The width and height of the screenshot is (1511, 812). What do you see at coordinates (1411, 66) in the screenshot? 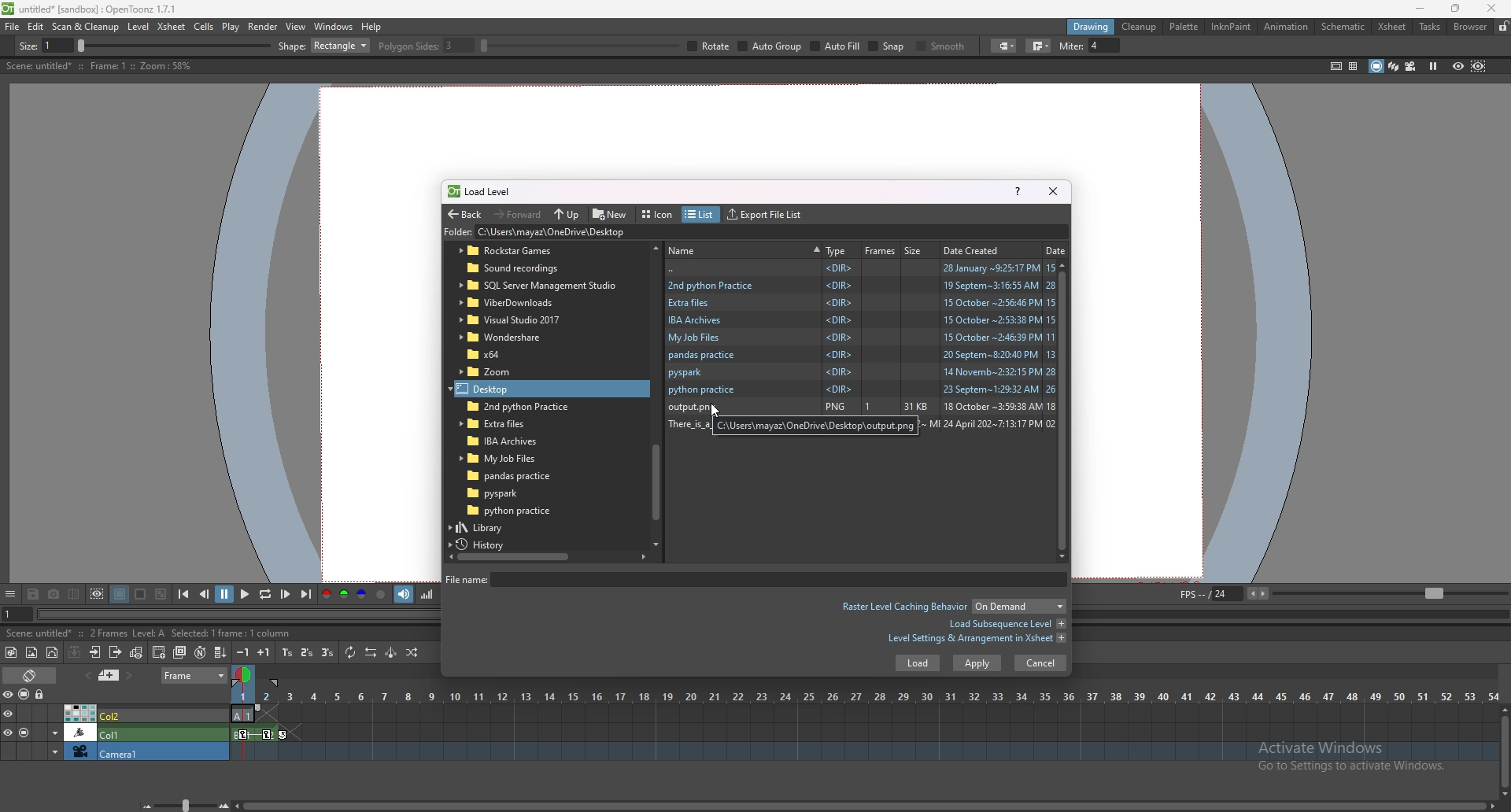
I see `camera view` at bounding box center [1411, 66].